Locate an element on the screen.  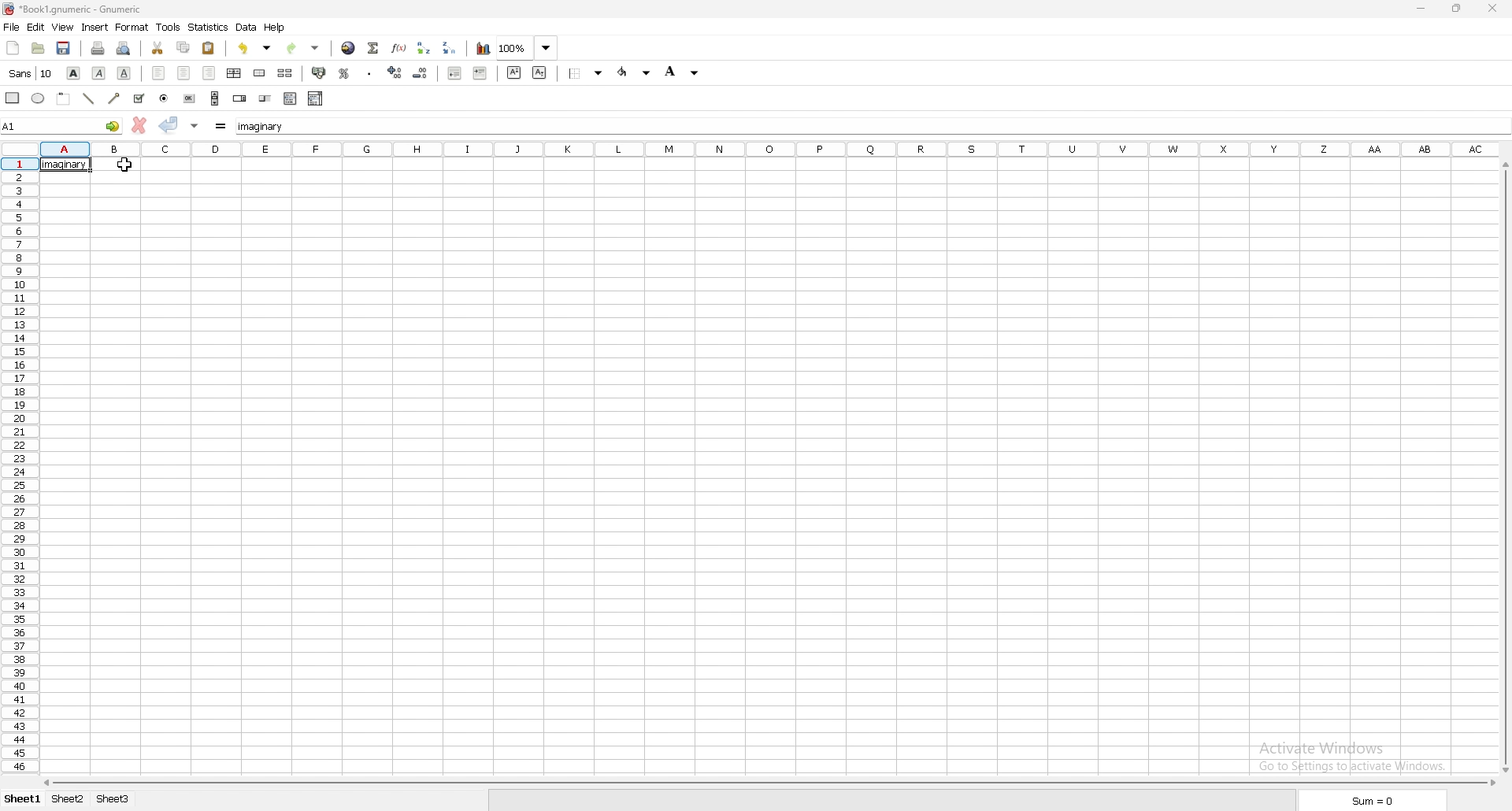
data is located at coordinates (248, 28).